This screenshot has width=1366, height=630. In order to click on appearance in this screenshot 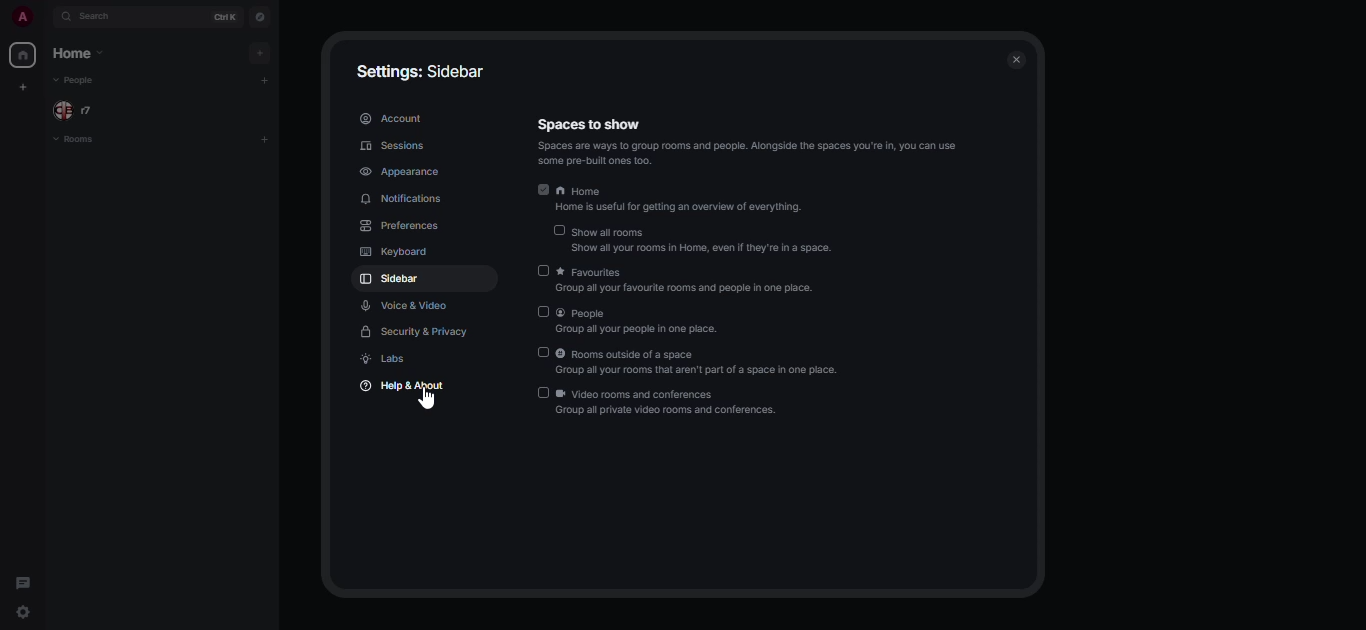, I will do `click(402, 171)`.